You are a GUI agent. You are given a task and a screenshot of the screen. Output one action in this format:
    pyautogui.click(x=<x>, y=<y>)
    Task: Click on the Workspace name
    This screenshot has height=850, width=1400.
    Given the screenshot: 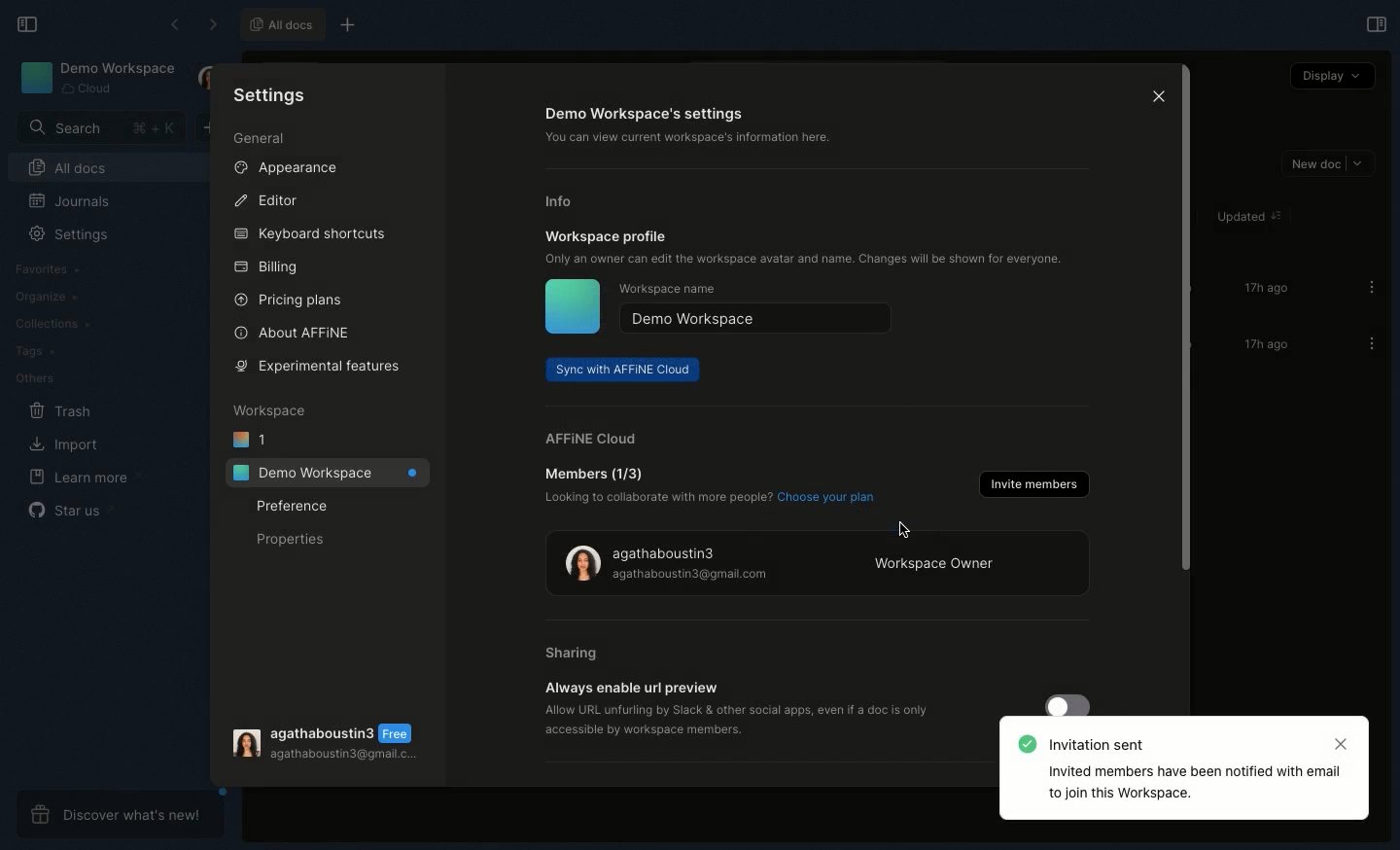 What is the action you would take?
    pyautogui.click(x=667, y=288)
    